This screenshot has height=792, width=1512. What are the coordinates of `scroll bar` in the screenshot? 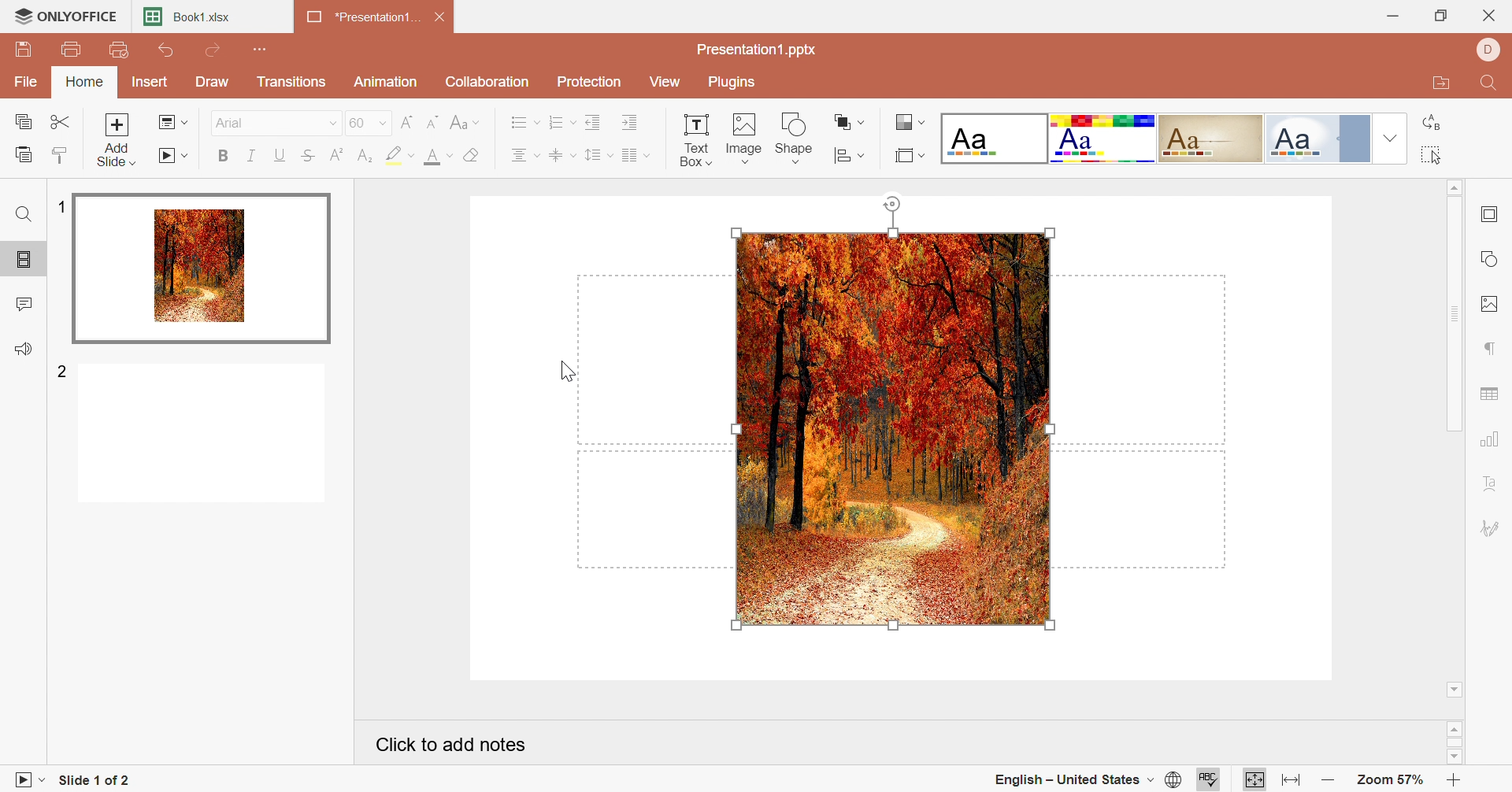 It's located at (1455, 742).